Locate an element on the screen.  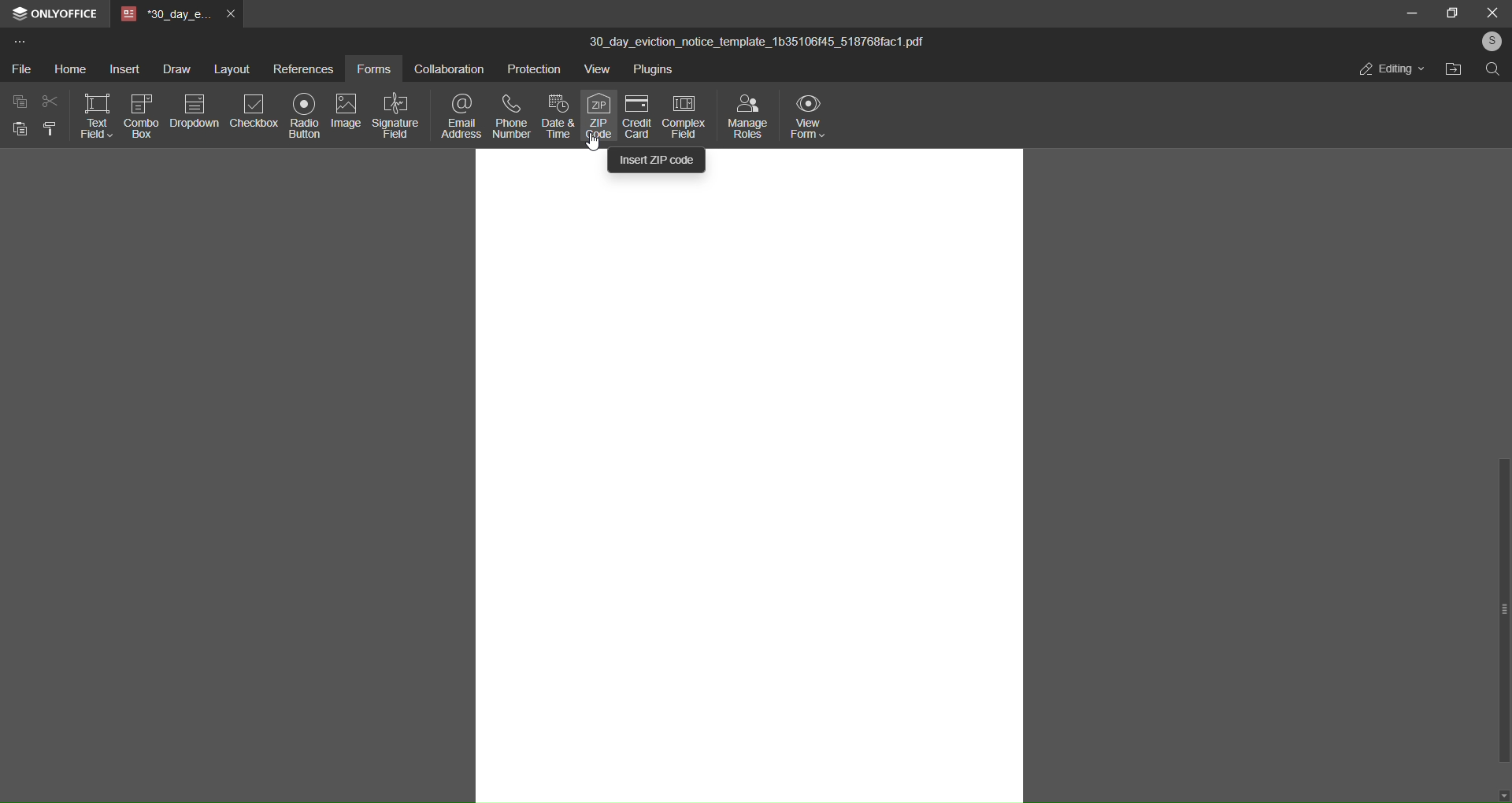
layout is located at coordinates (232, 68).